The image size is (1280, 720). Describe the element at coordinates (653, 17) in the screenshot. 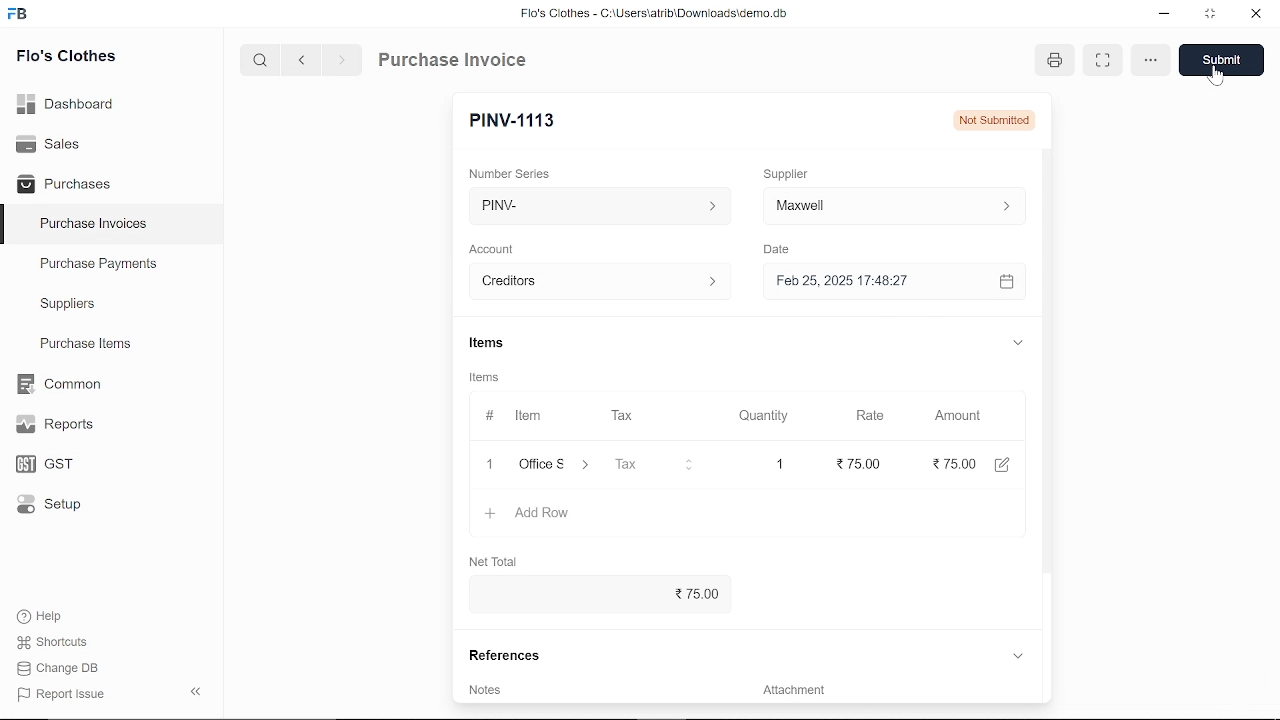

I see `Flo's Clothes - C:\Users\alrib\Downioads'cemo.db.` at that location.